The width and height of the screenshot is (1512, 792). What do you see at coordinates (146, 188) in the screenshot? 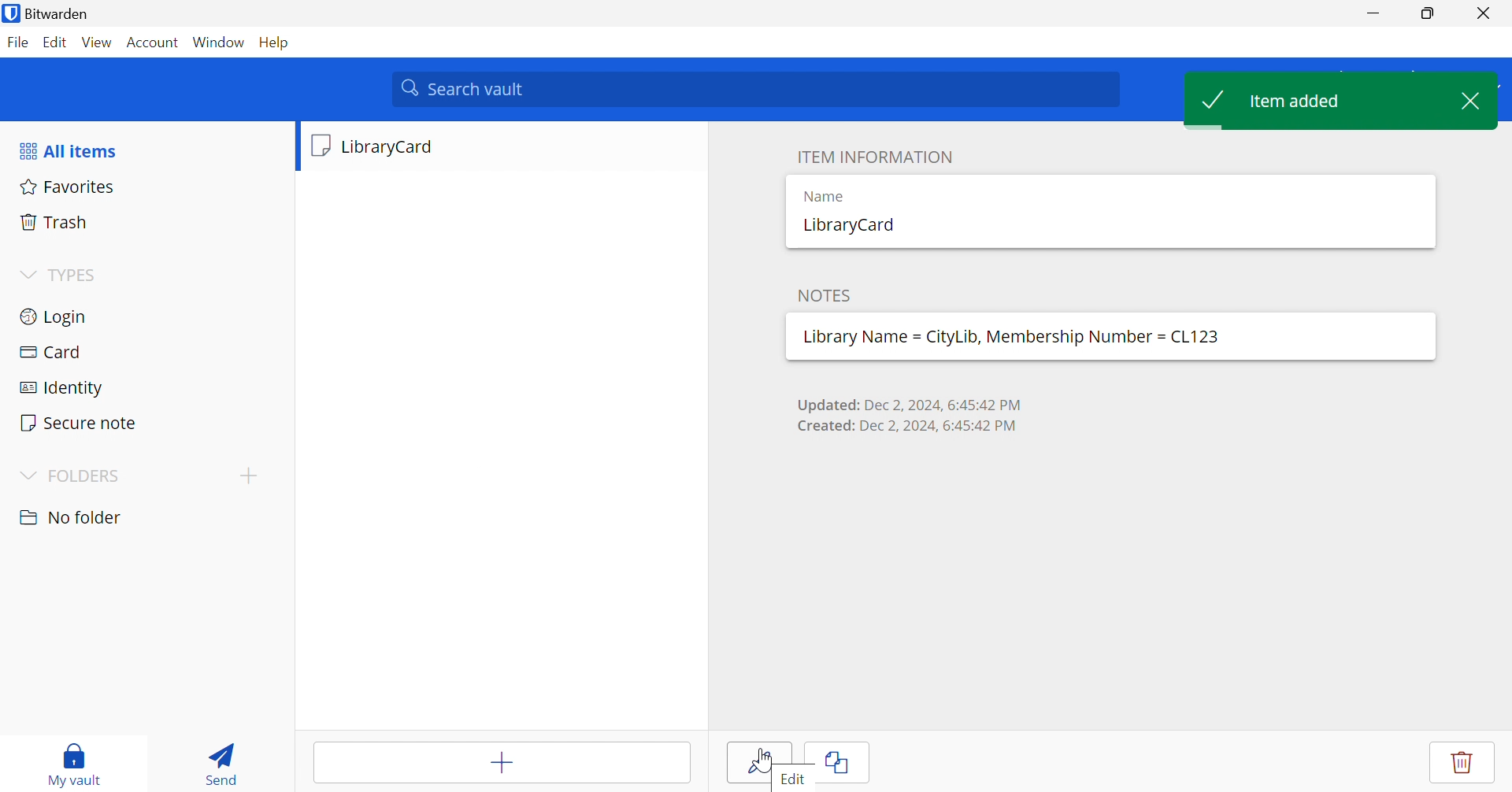
I see `Favorites` at bounding box center [146, 188].